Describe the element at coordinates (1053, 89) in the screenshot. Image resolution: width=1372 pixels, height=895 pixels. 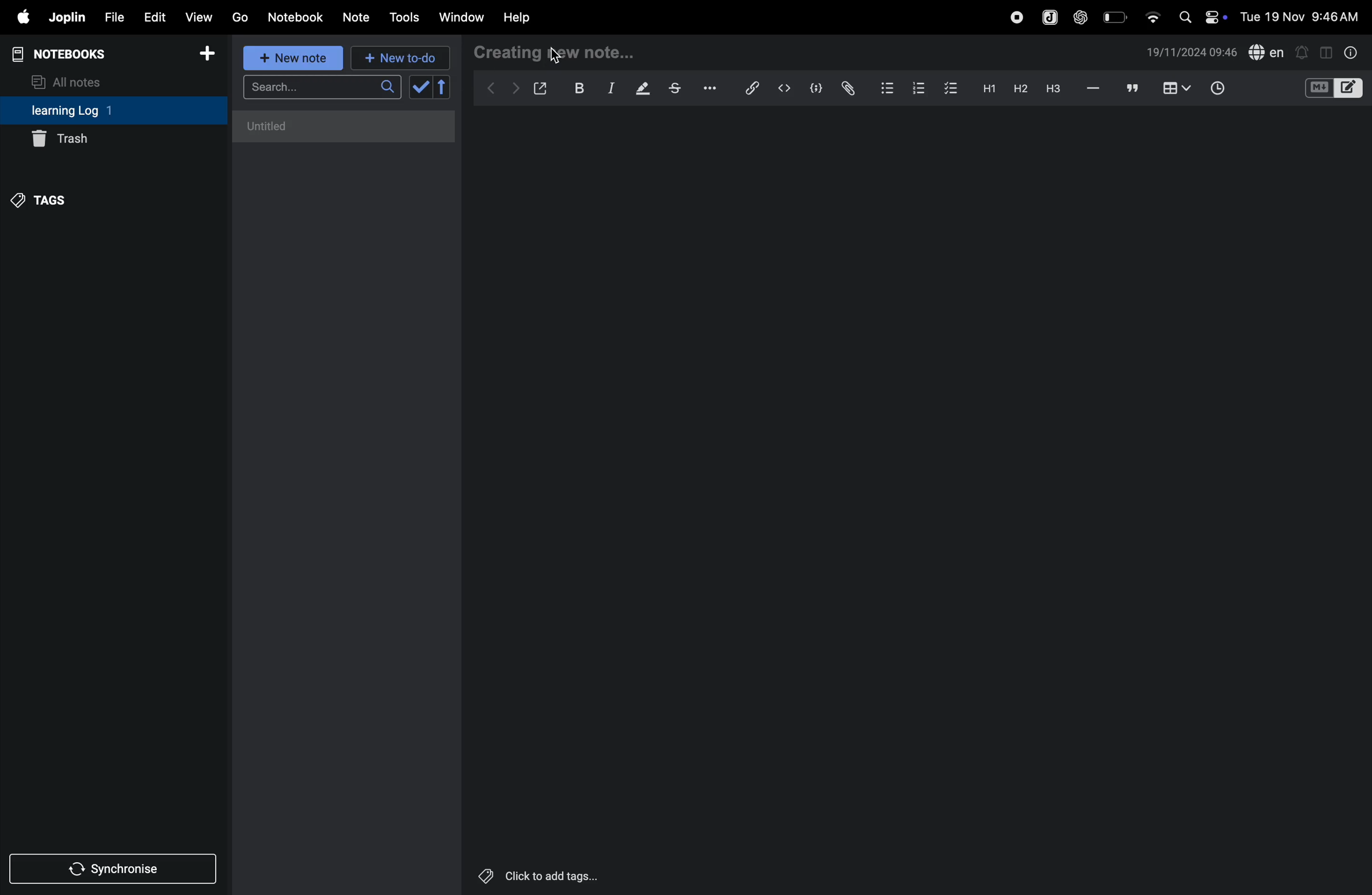
I see `heading 3` at that location.